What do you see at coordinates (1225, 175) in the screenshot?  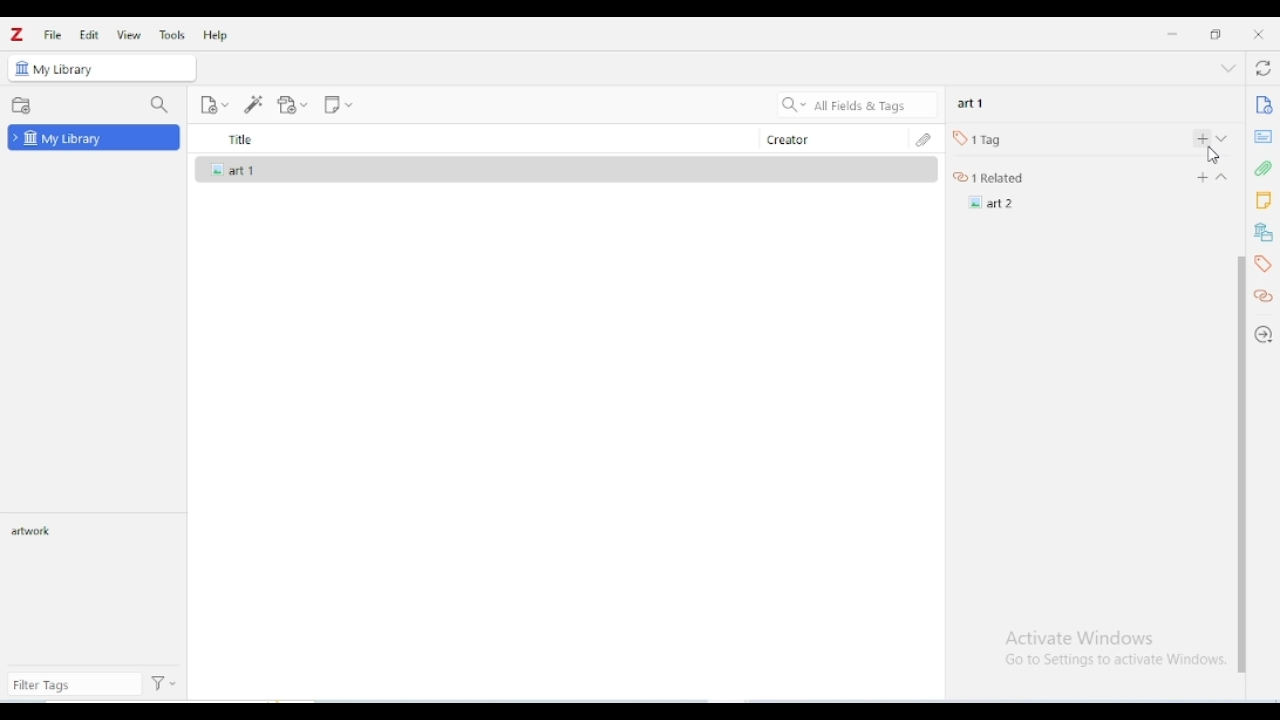 I see `Drop down` at bounding box center [1225, 175].